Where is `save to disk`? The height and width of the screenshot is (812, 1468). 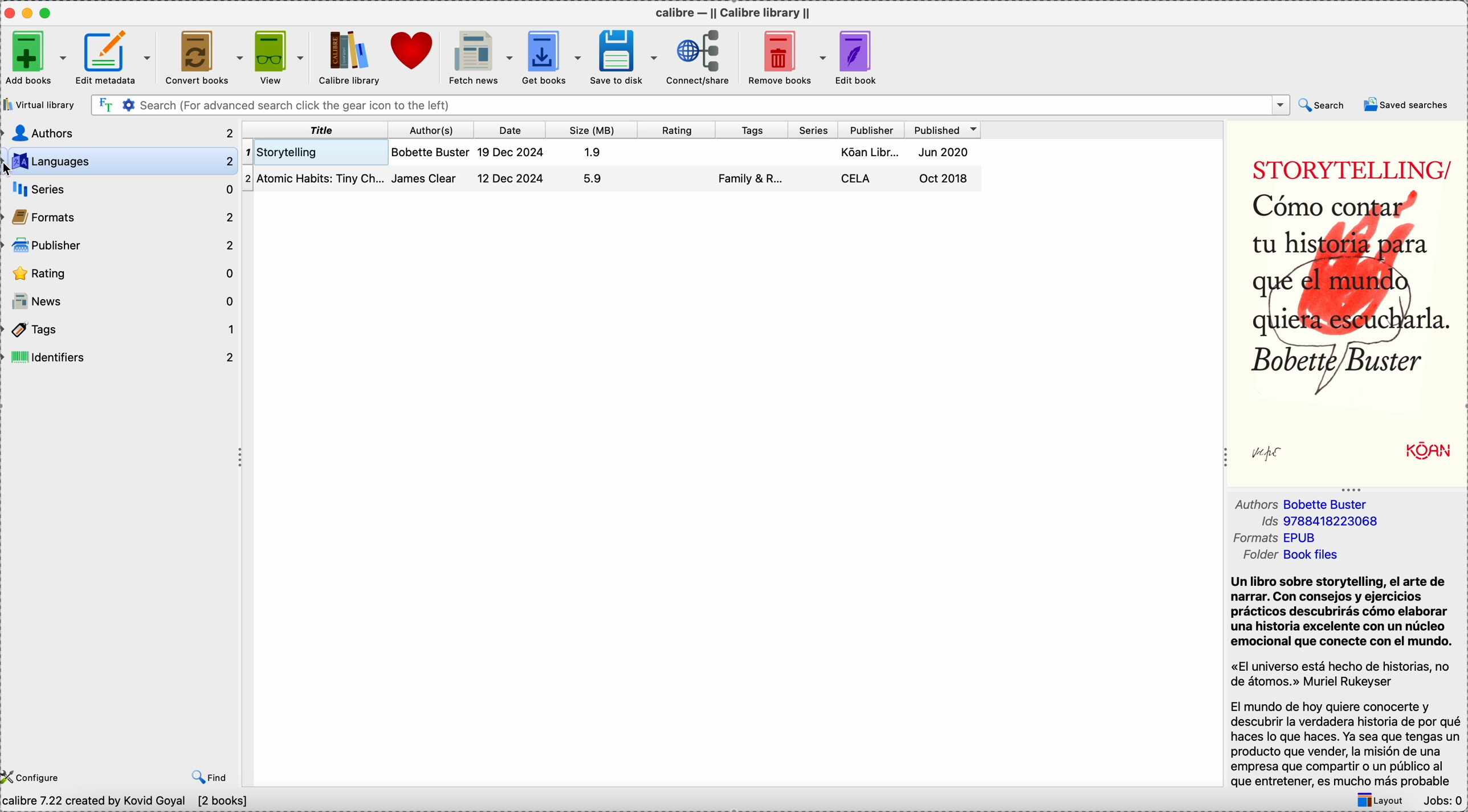 save to disk is located at coordinates (625, 56).